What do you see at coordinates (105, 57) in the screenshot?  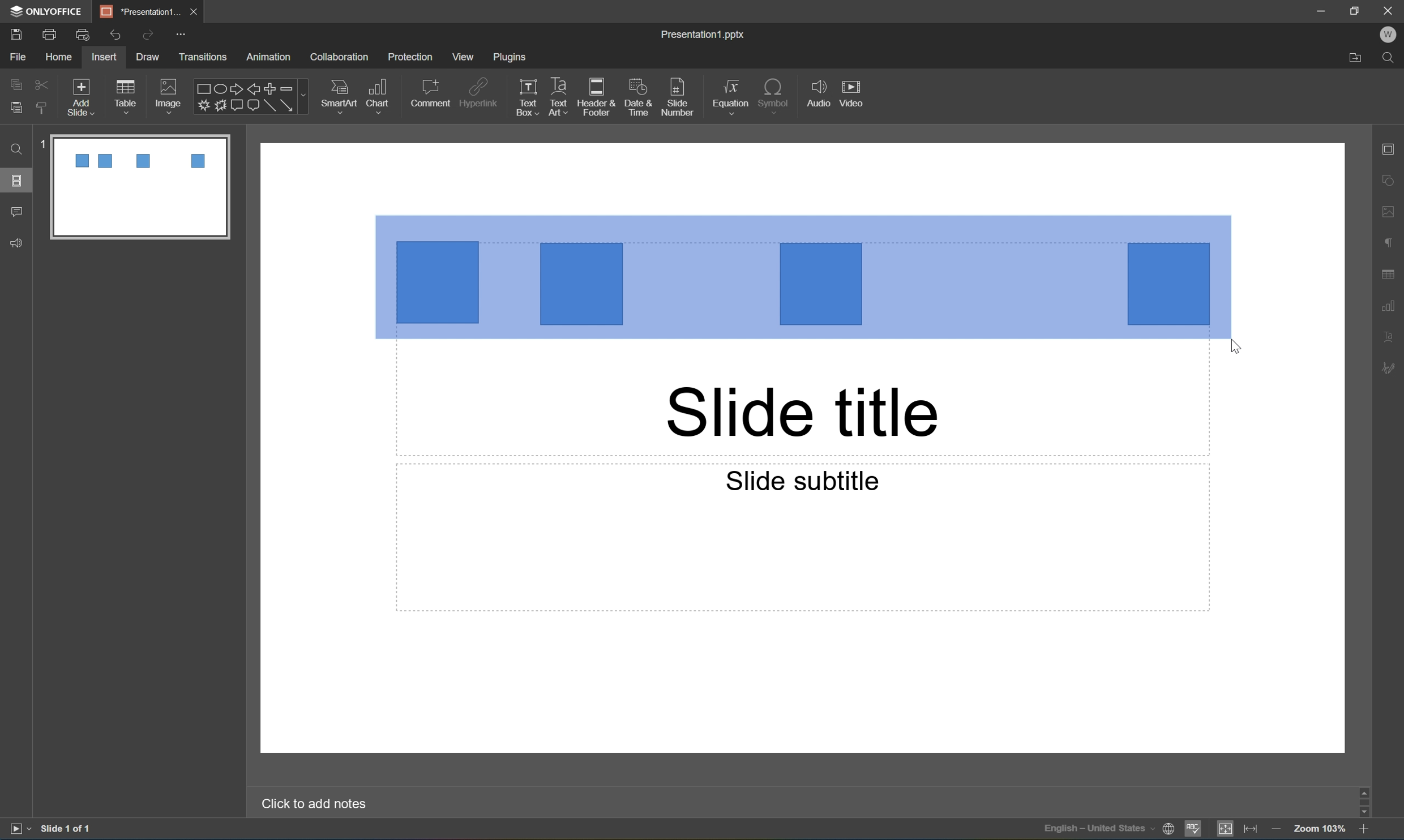 I see `insert` at bounding box center [105, 57].